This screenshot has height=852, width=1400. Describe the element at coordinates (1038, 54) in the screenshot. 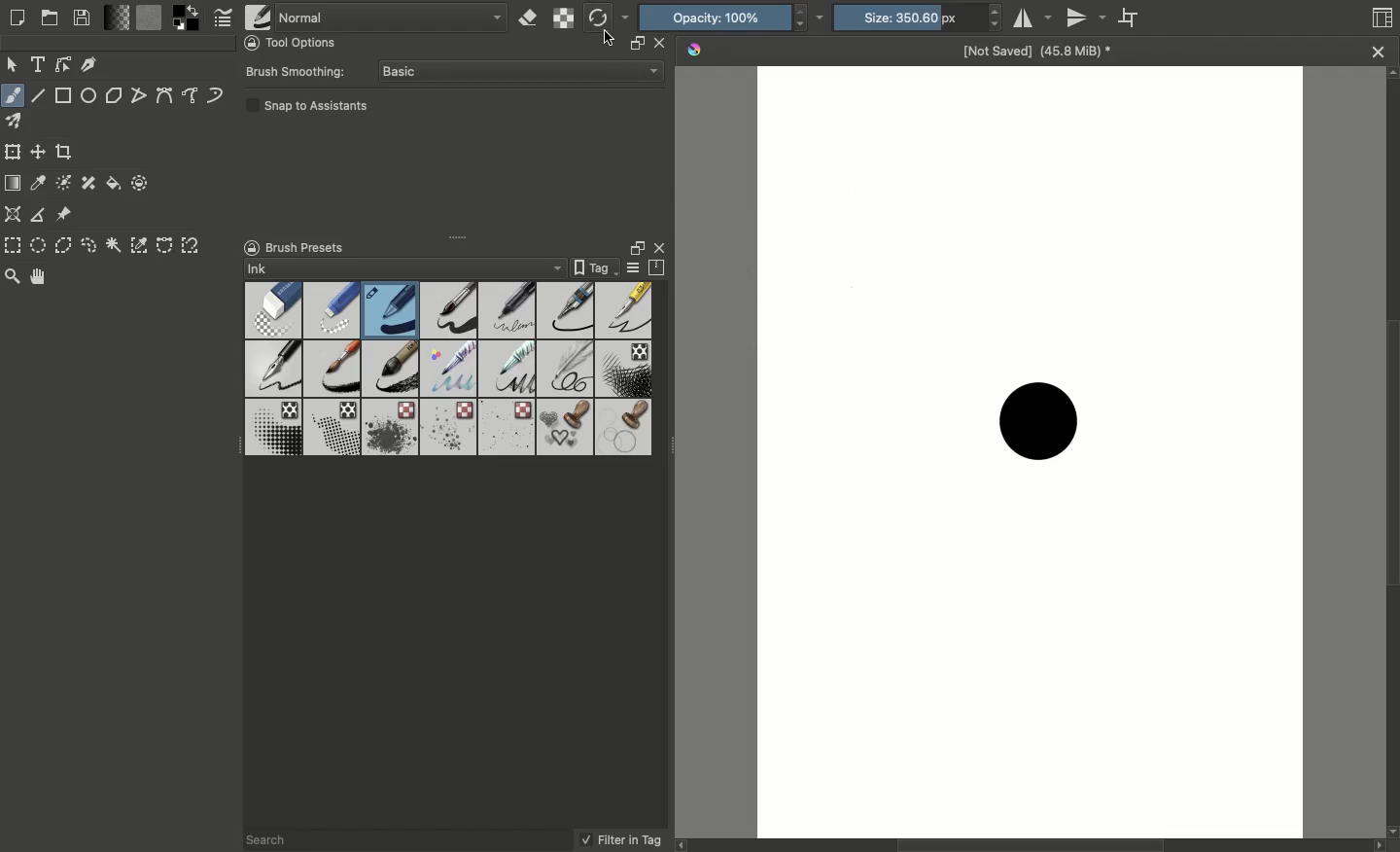

I see `Name` at that location.